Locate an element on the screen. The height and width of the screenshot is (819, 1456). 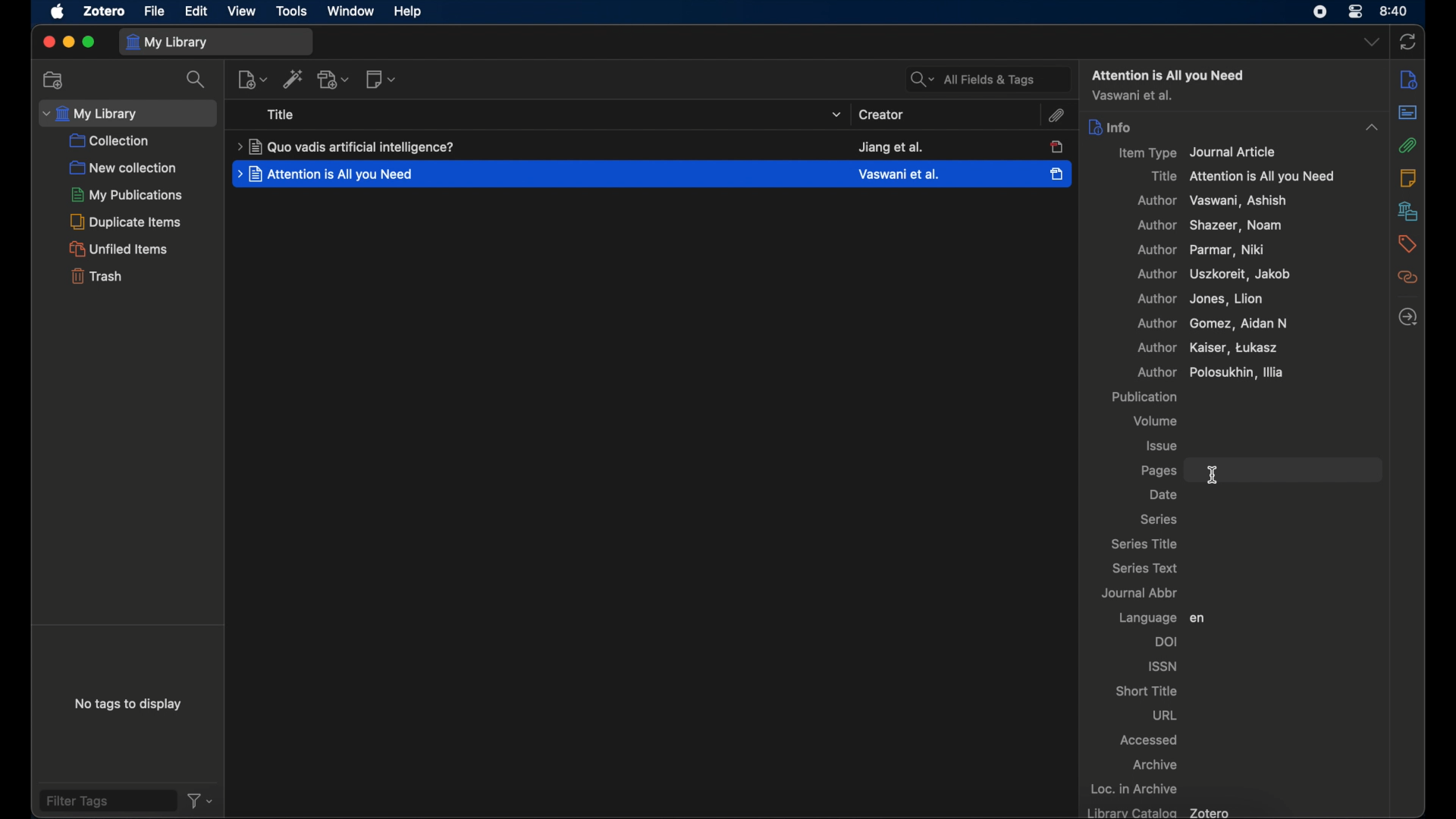
item selected is located at coordinates (1059, 173).